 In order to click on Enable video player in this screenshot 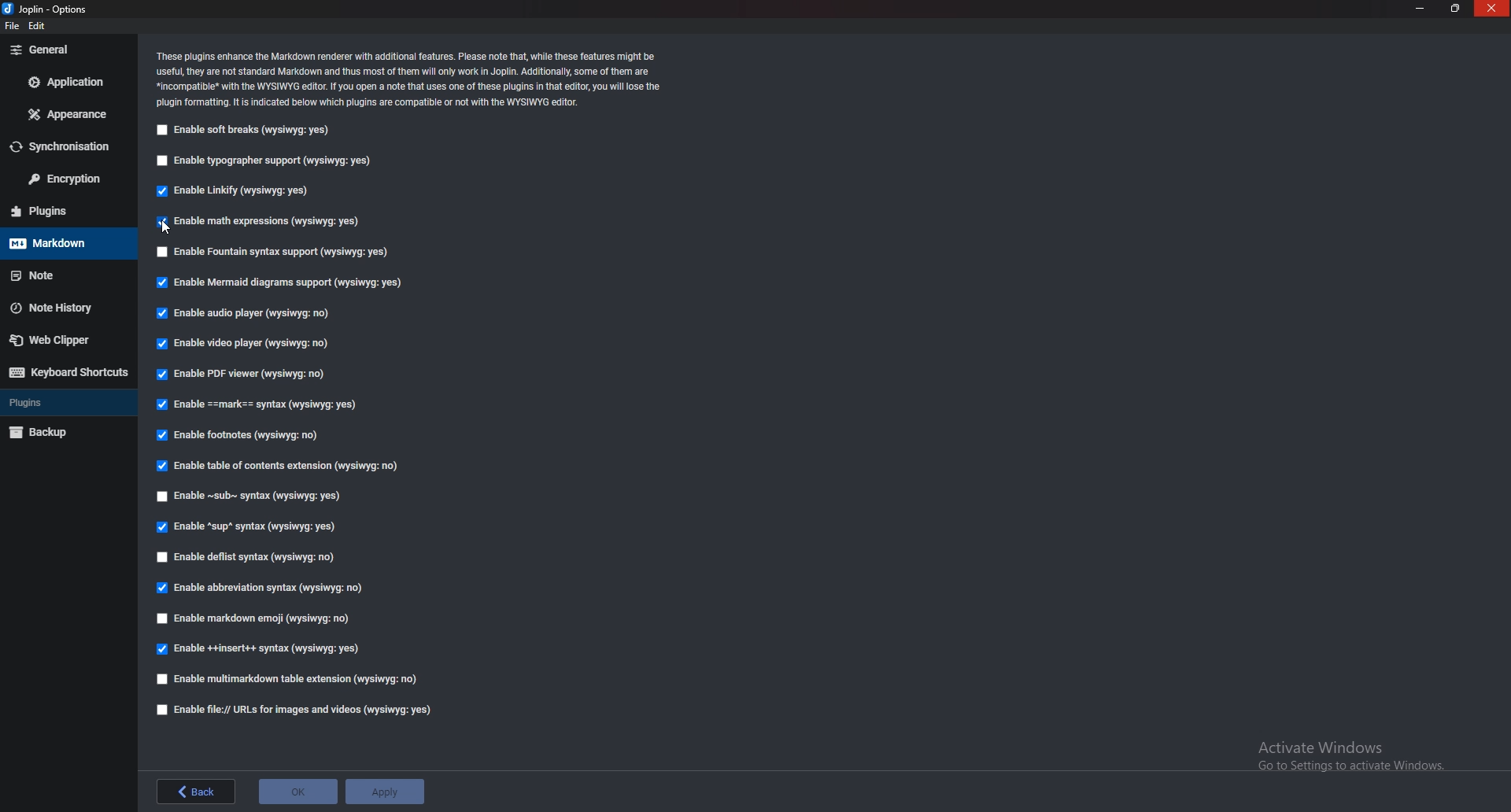, I will do `click(245, 344)`.